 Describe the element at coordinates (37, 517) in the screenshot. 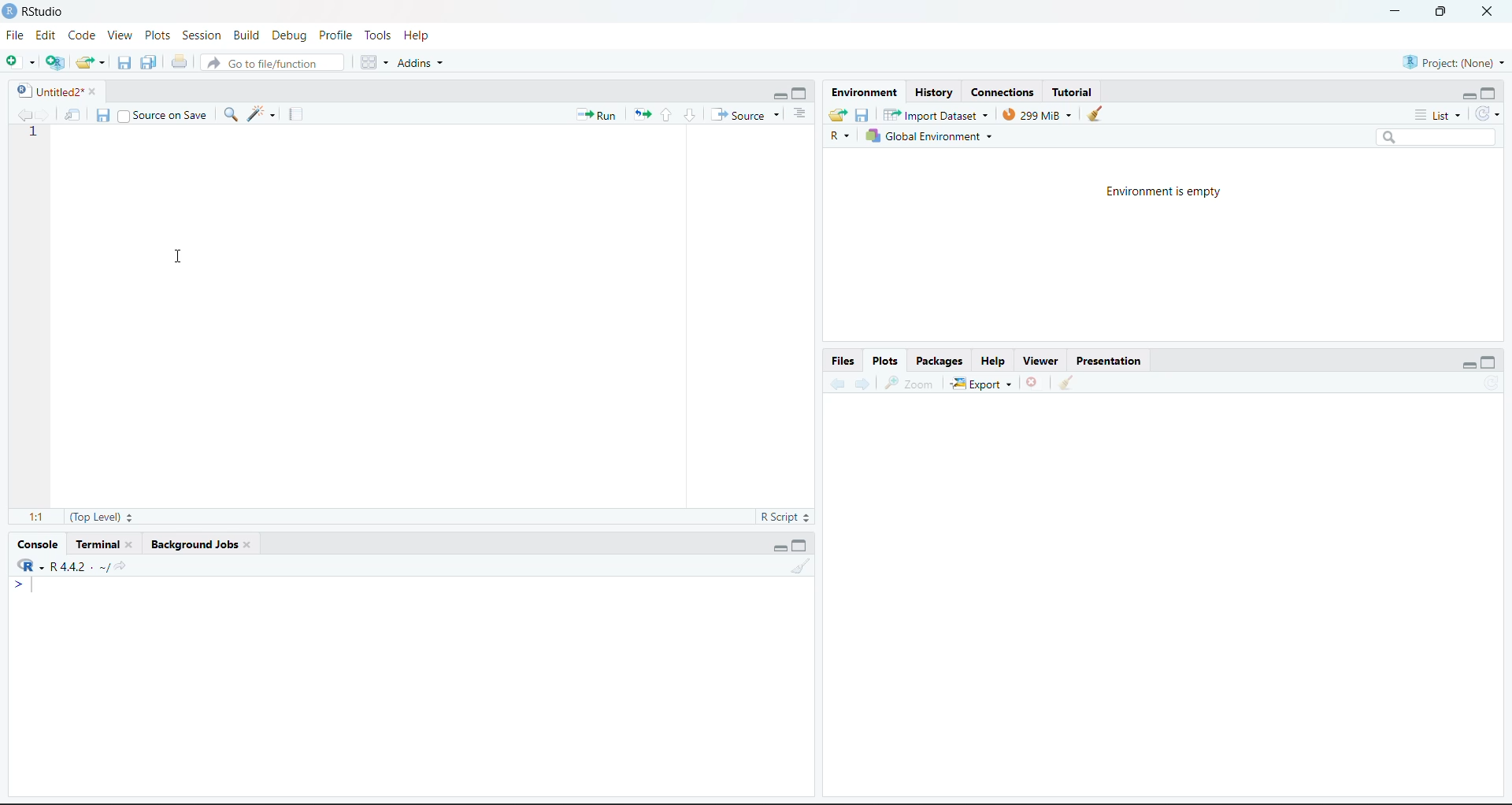

I see `1:1` at that location.